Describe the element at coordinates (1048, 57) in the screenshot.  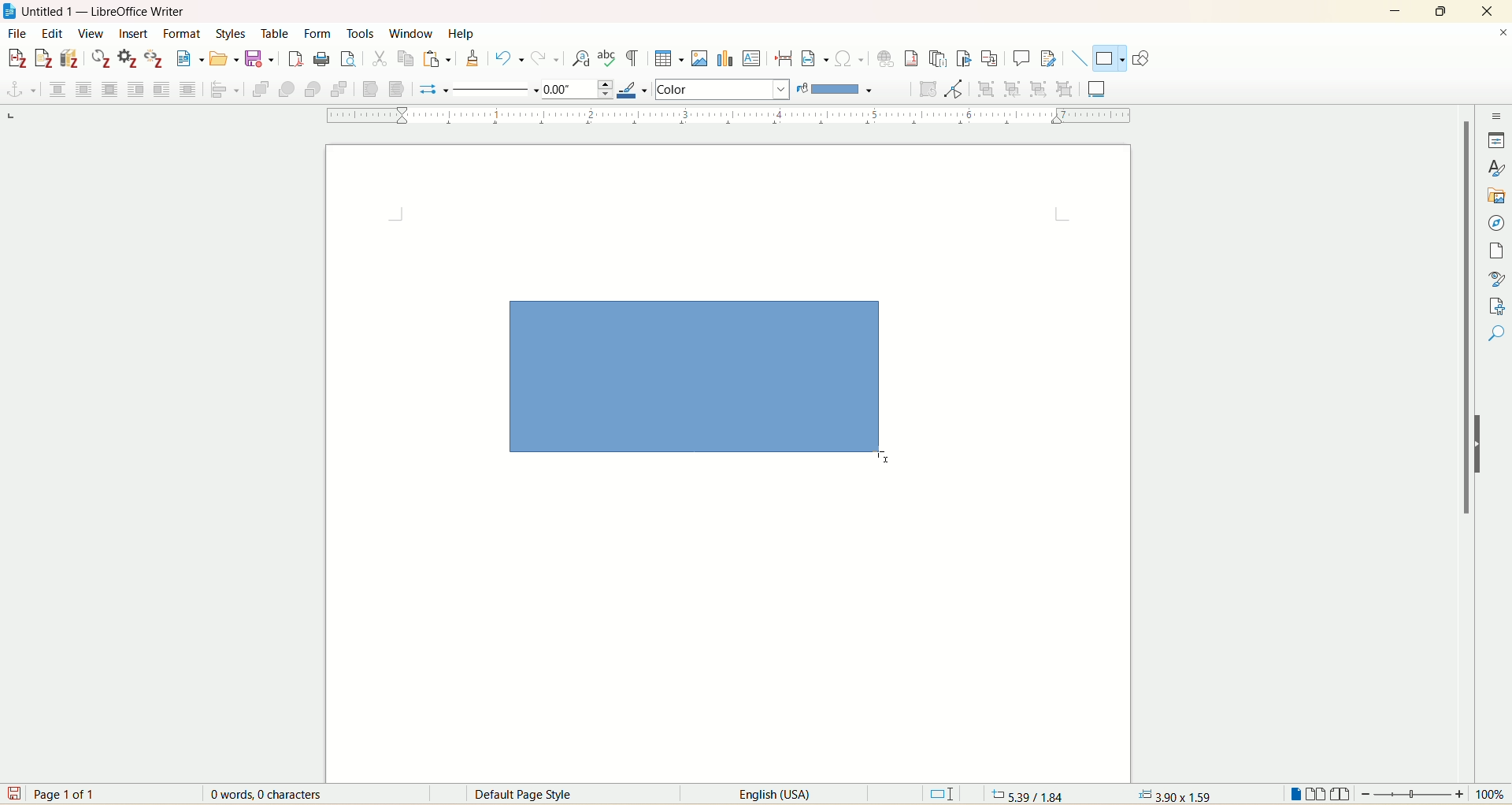
I see `track changes` at that location.